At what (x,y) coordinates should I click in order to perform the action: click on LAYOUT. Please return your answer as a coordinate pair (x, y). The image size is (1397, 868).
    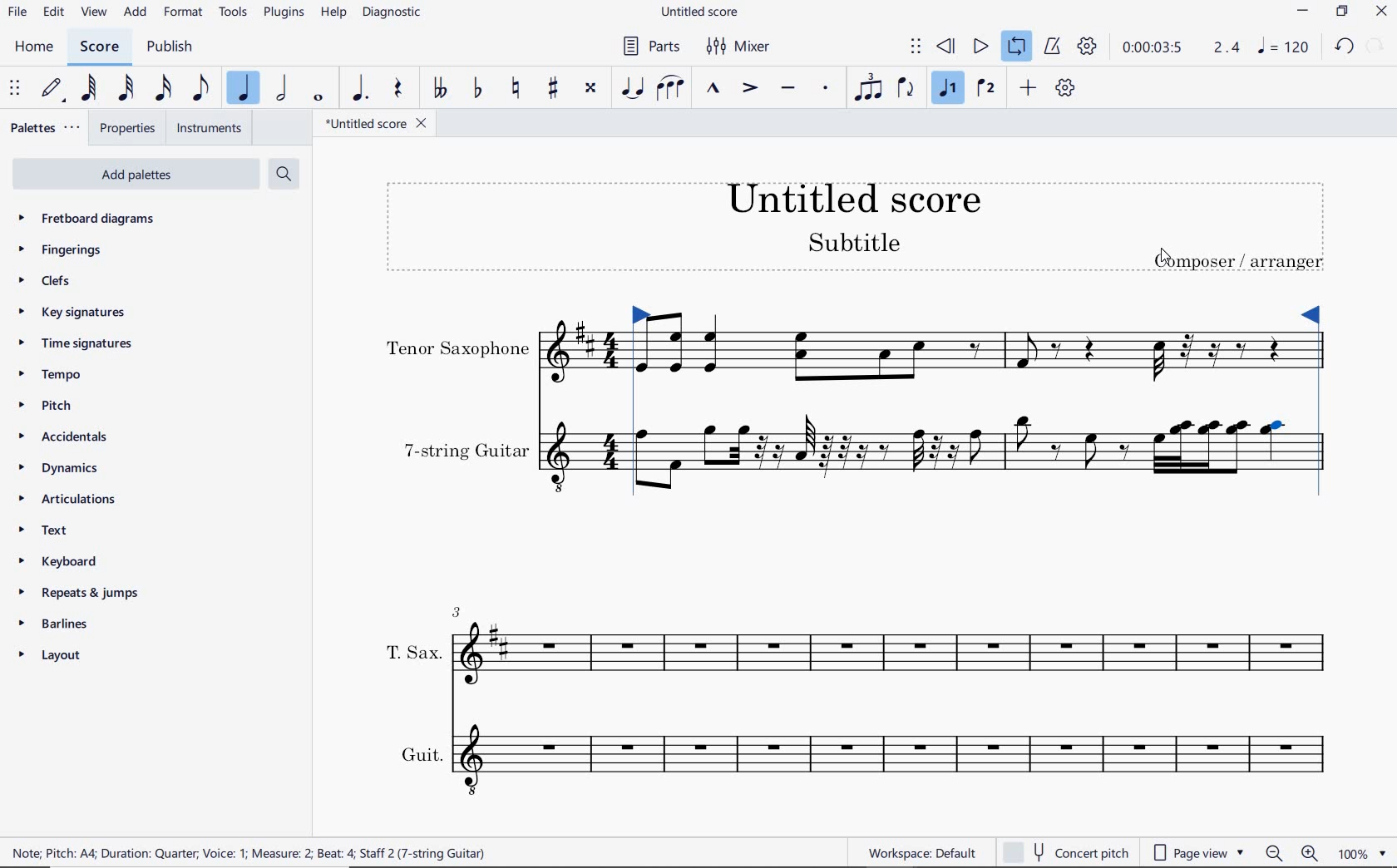
    Looking at the image, I should click on (49, 657).